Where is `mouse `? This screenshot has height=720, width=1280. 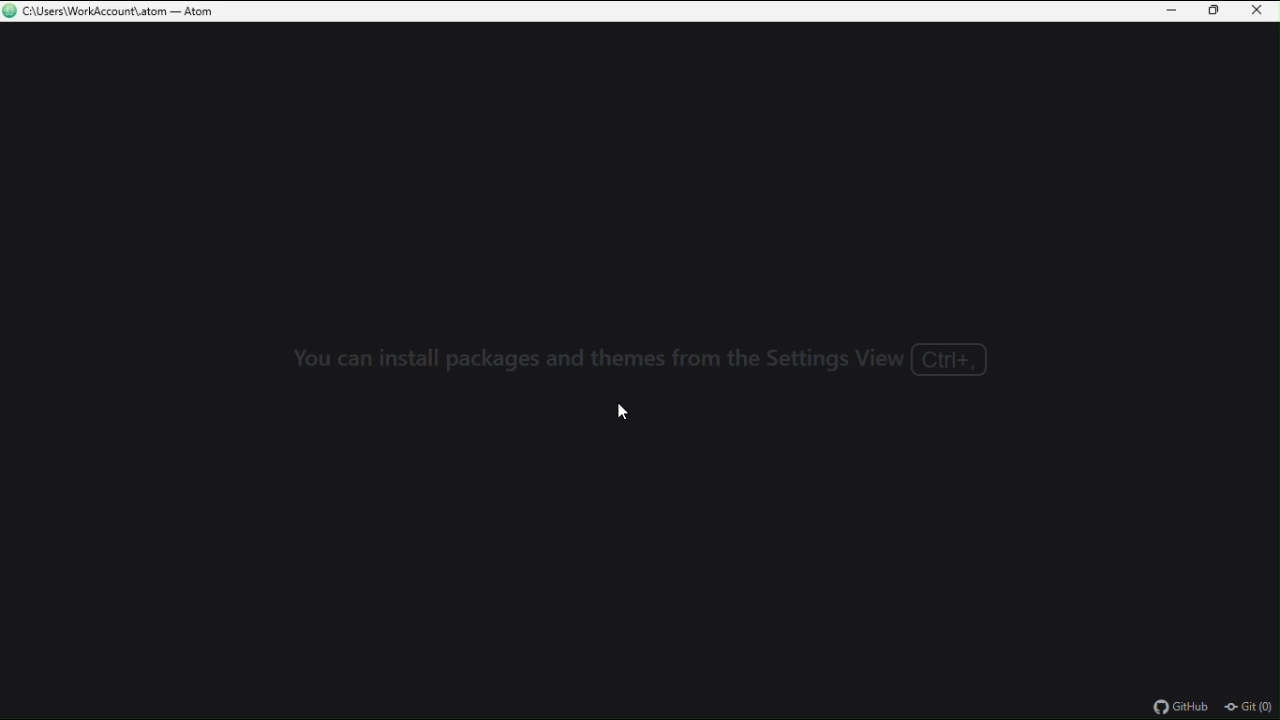 mouse  is located at coordinates (620, 410).